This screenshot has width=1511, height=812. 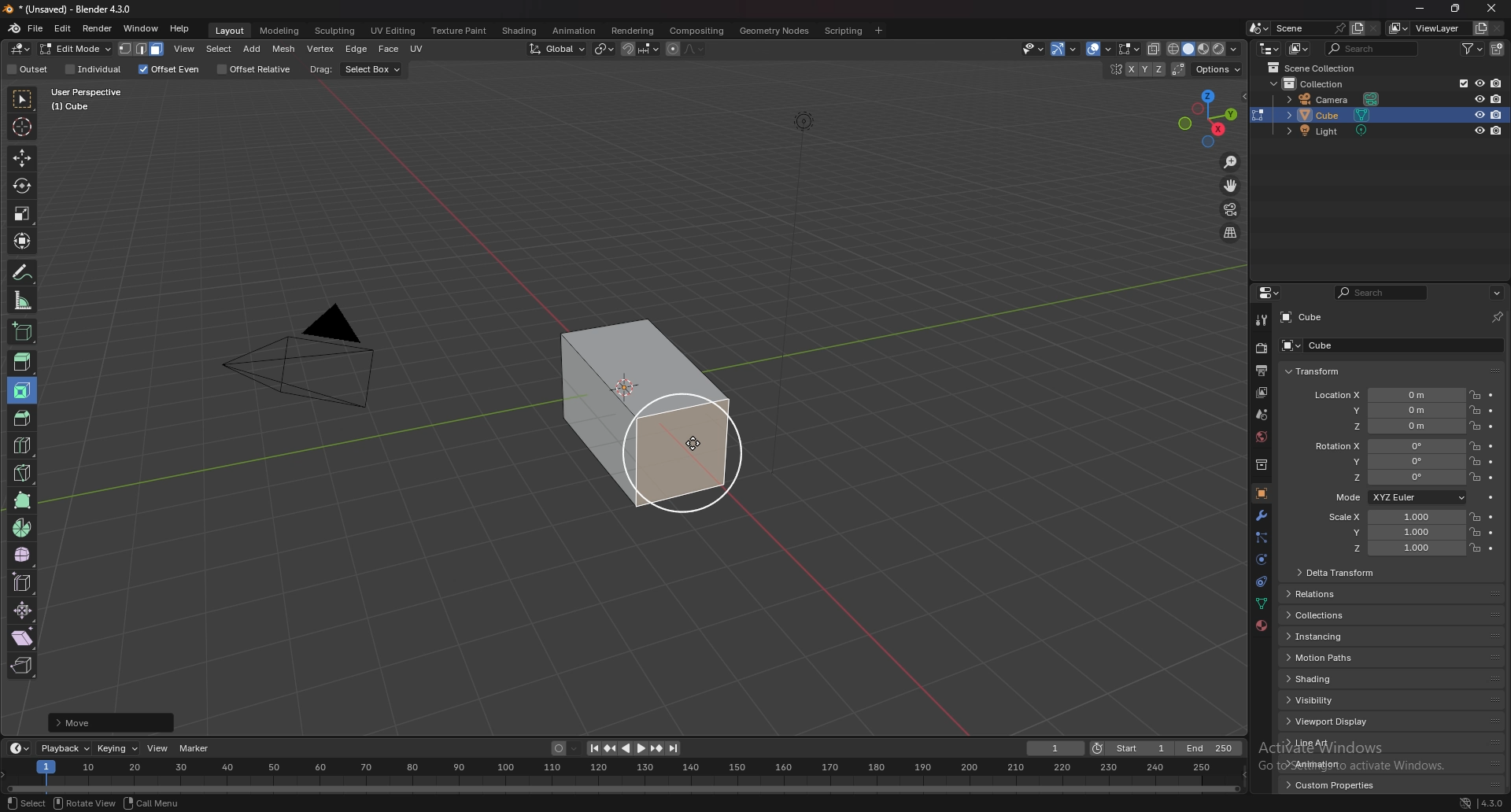 What do you see at coordinates (35, 28) in the screenshot?
I see `file` at bounding box center [35, 28].